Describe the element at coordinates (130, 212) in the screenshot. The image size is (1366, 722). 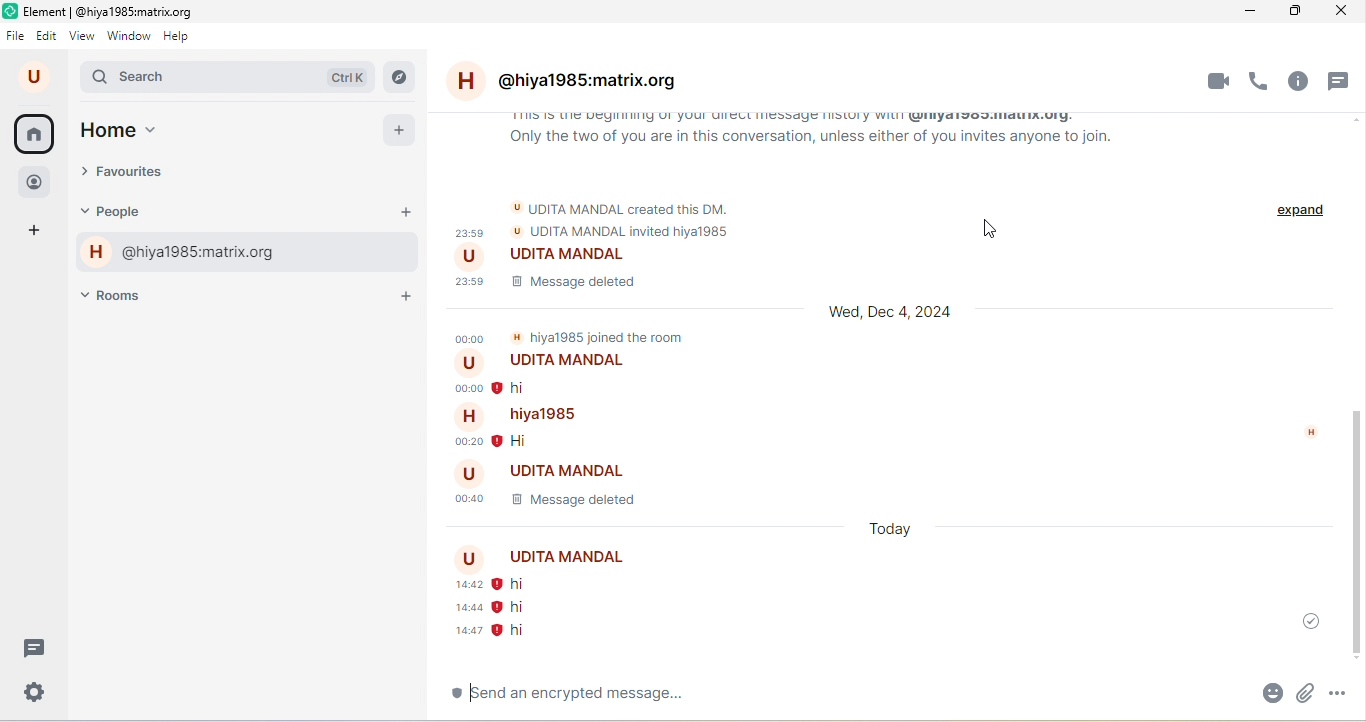
I see `people` at that location.